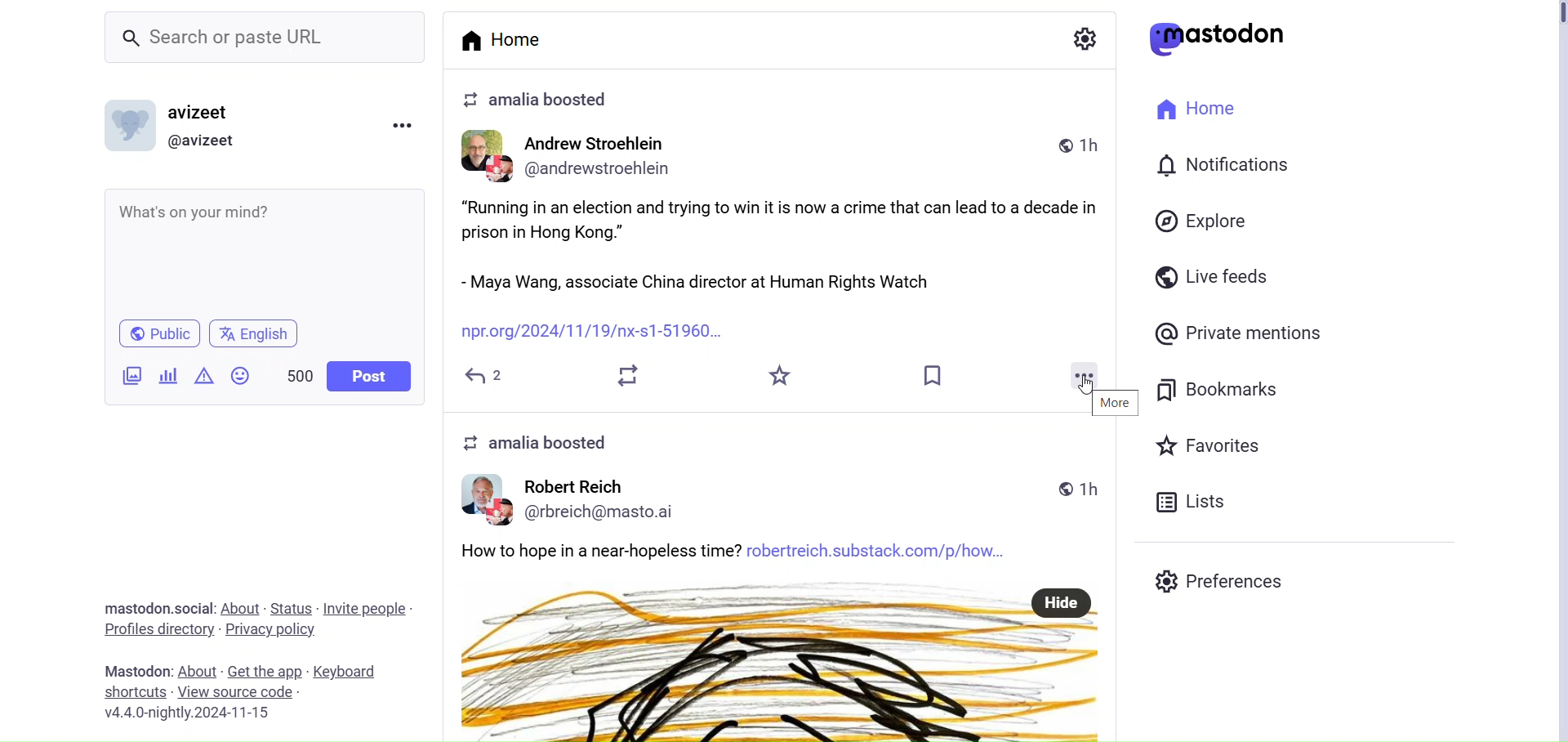  I want to click on Menu, so click(406, 124).